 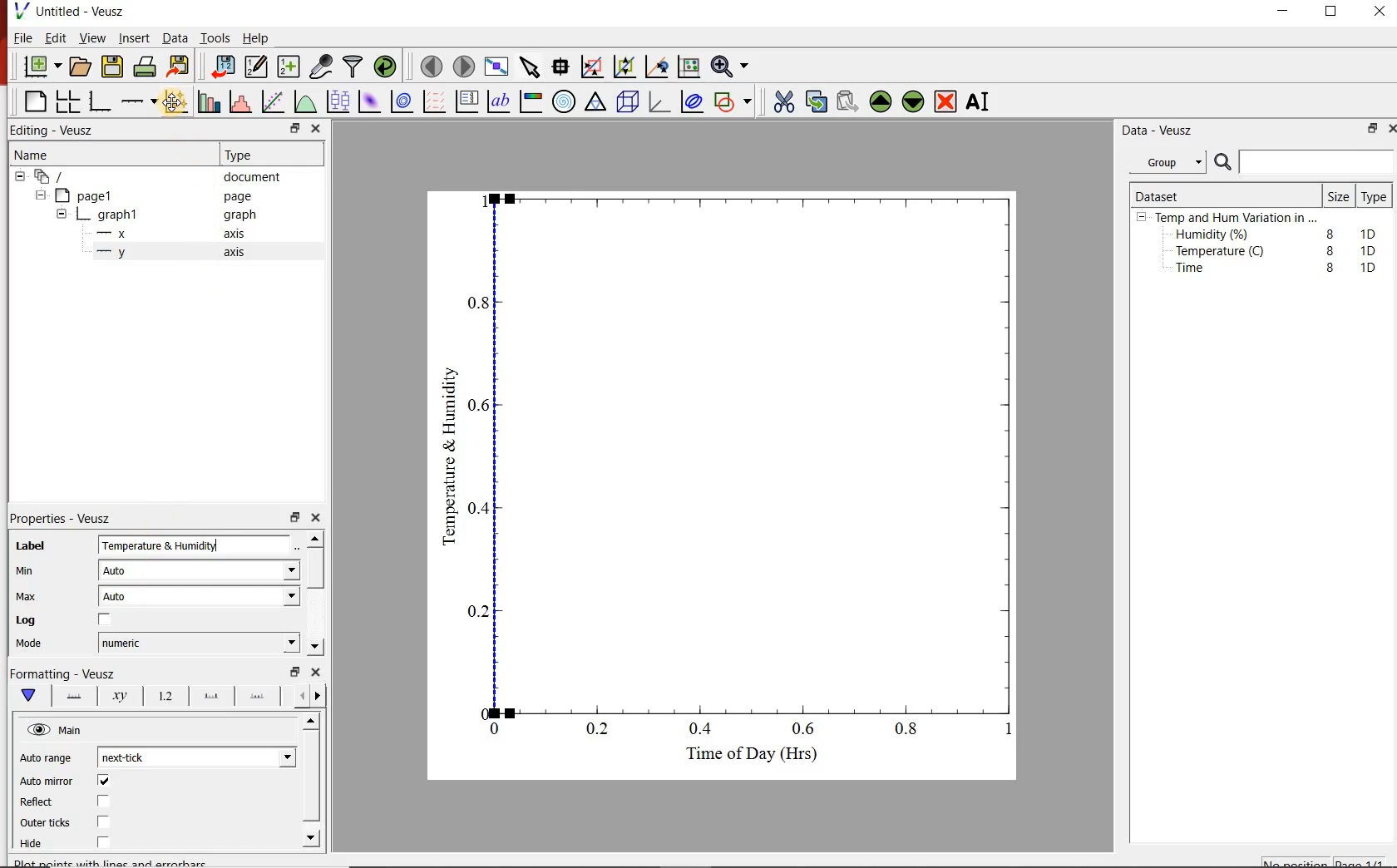 I want to click on click or draw a rectangle to zoom graph axes, so click(x=595, y=67).